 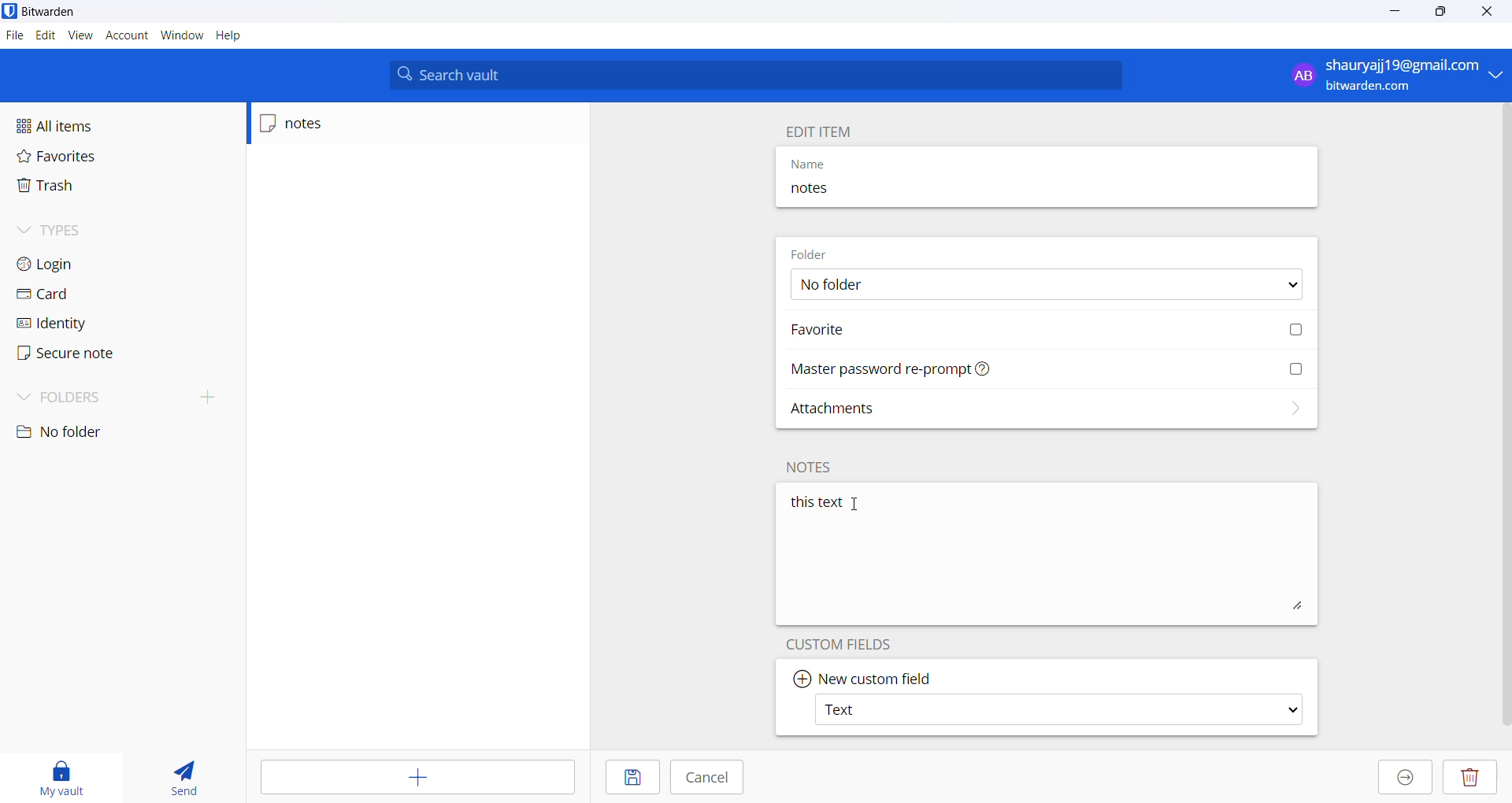 What do you see at coordinates (116, 396) in the screenshot?
I see `folder` at bounding box center [116, 396].